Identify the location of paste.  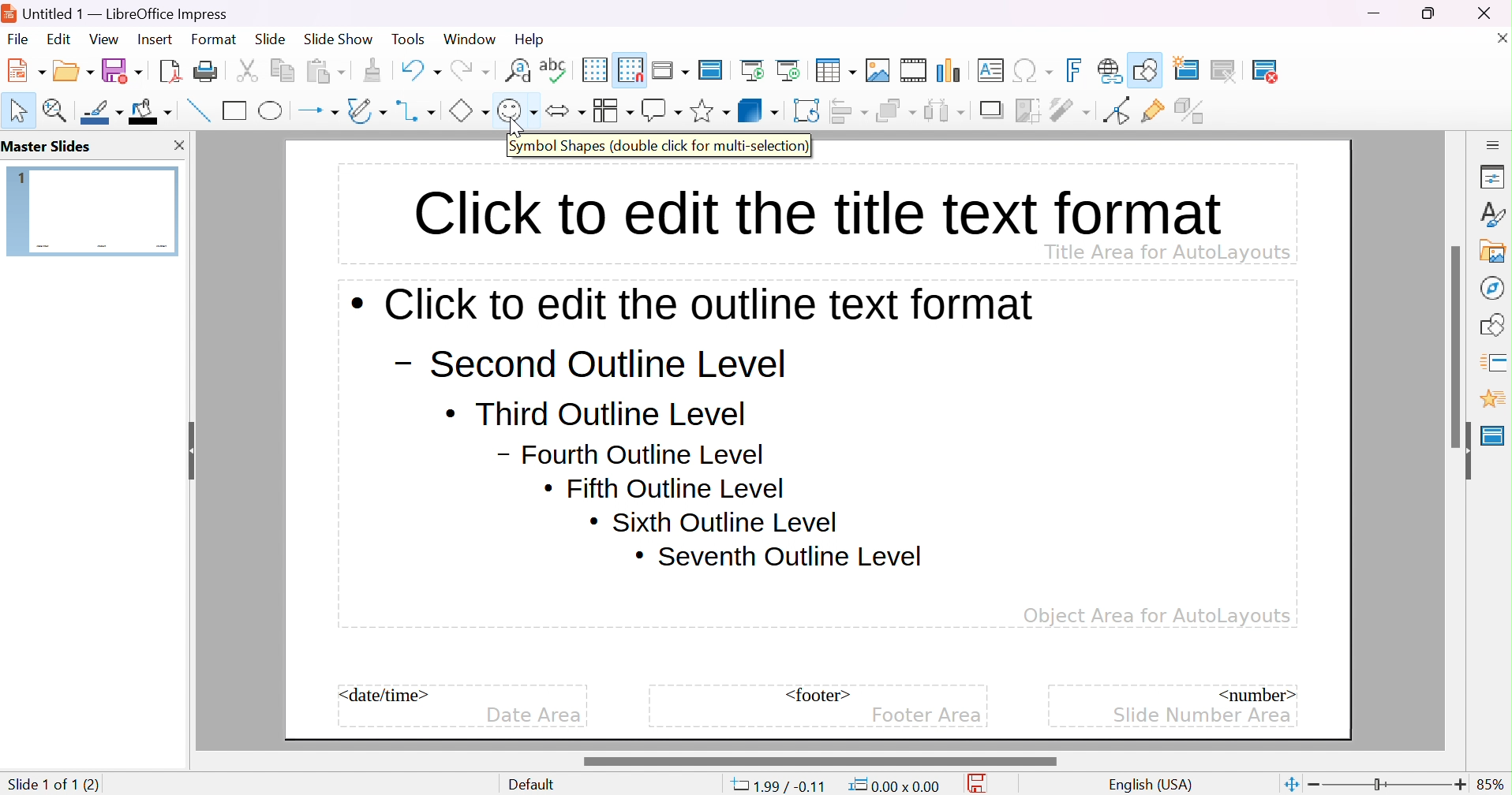
(326, 69).